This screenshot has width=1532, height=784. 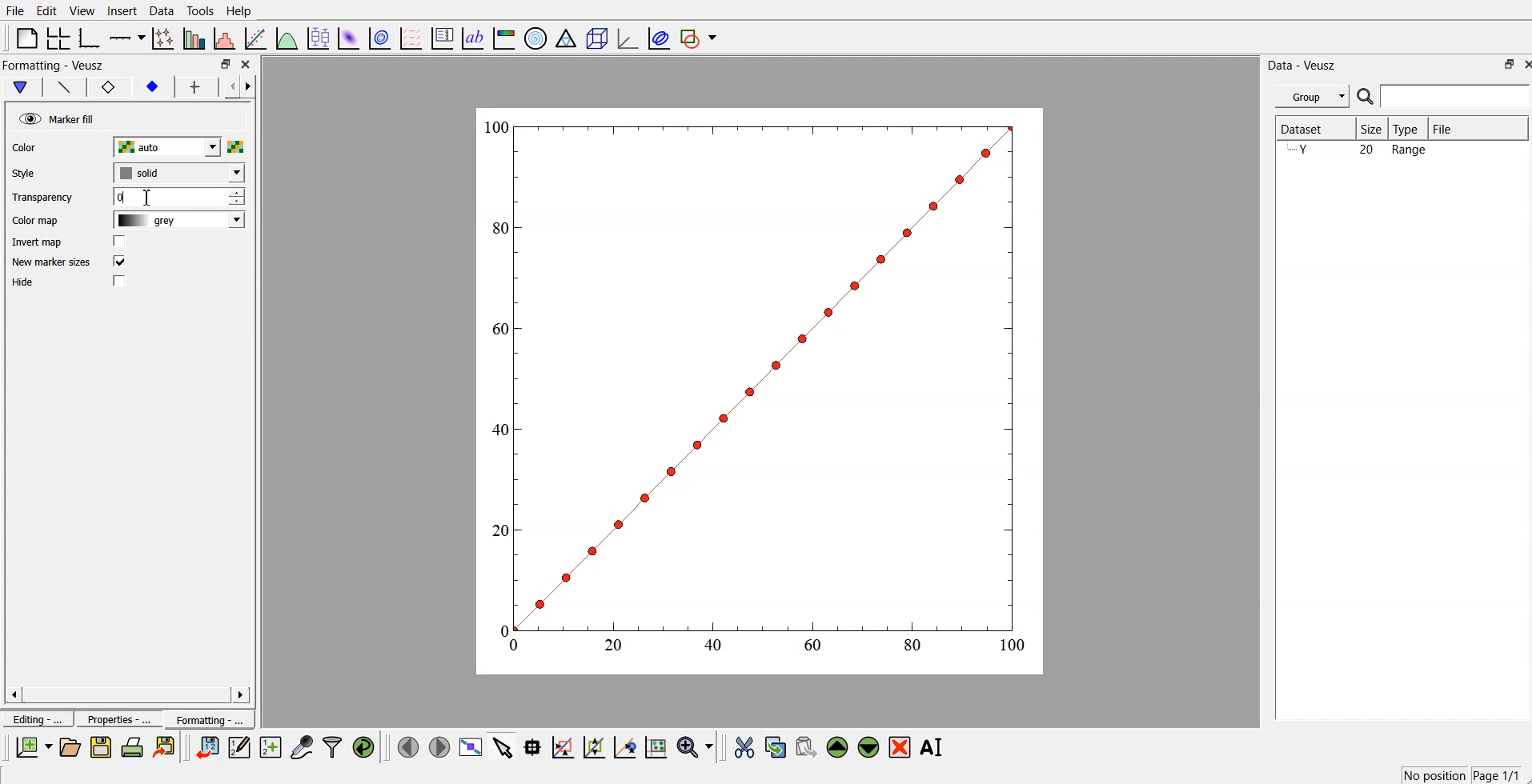 I want to click on plot a function, so click(x=287, y=38).